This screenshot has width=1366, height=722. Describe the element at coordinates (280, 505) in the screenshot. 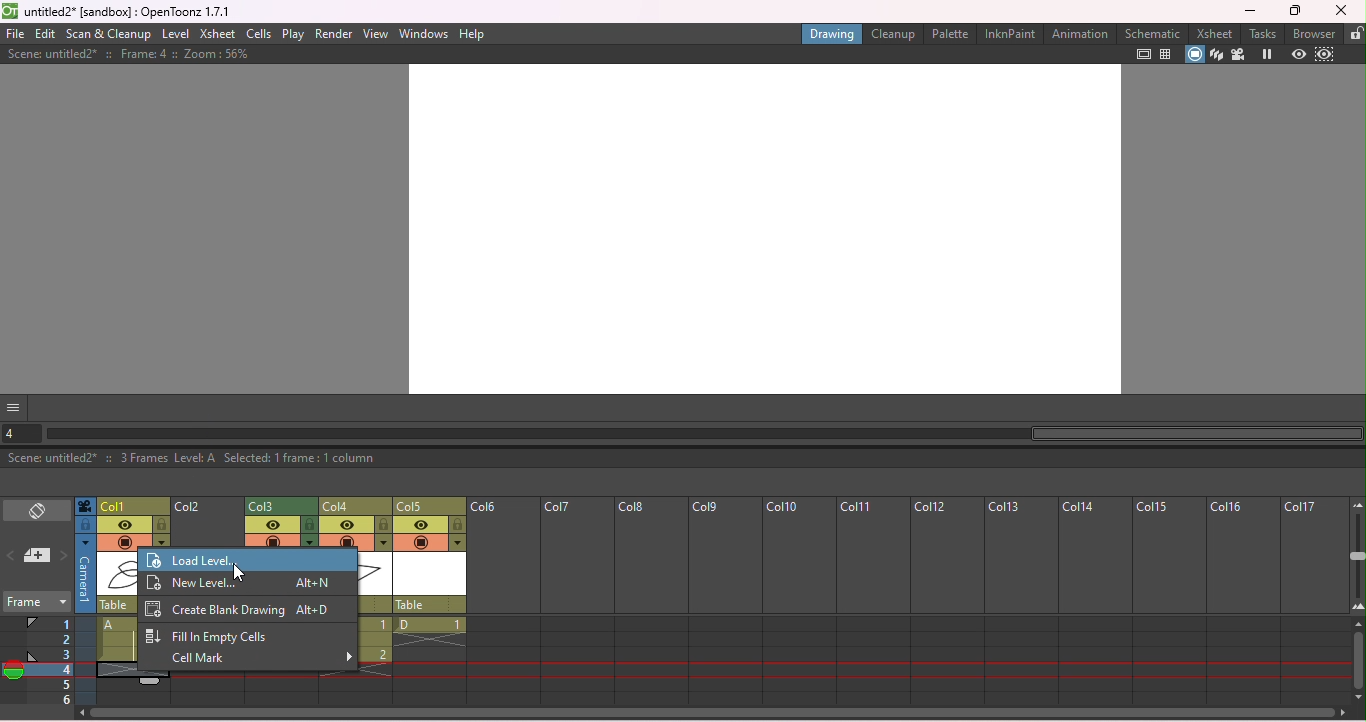

I see `Column 3` at that location.